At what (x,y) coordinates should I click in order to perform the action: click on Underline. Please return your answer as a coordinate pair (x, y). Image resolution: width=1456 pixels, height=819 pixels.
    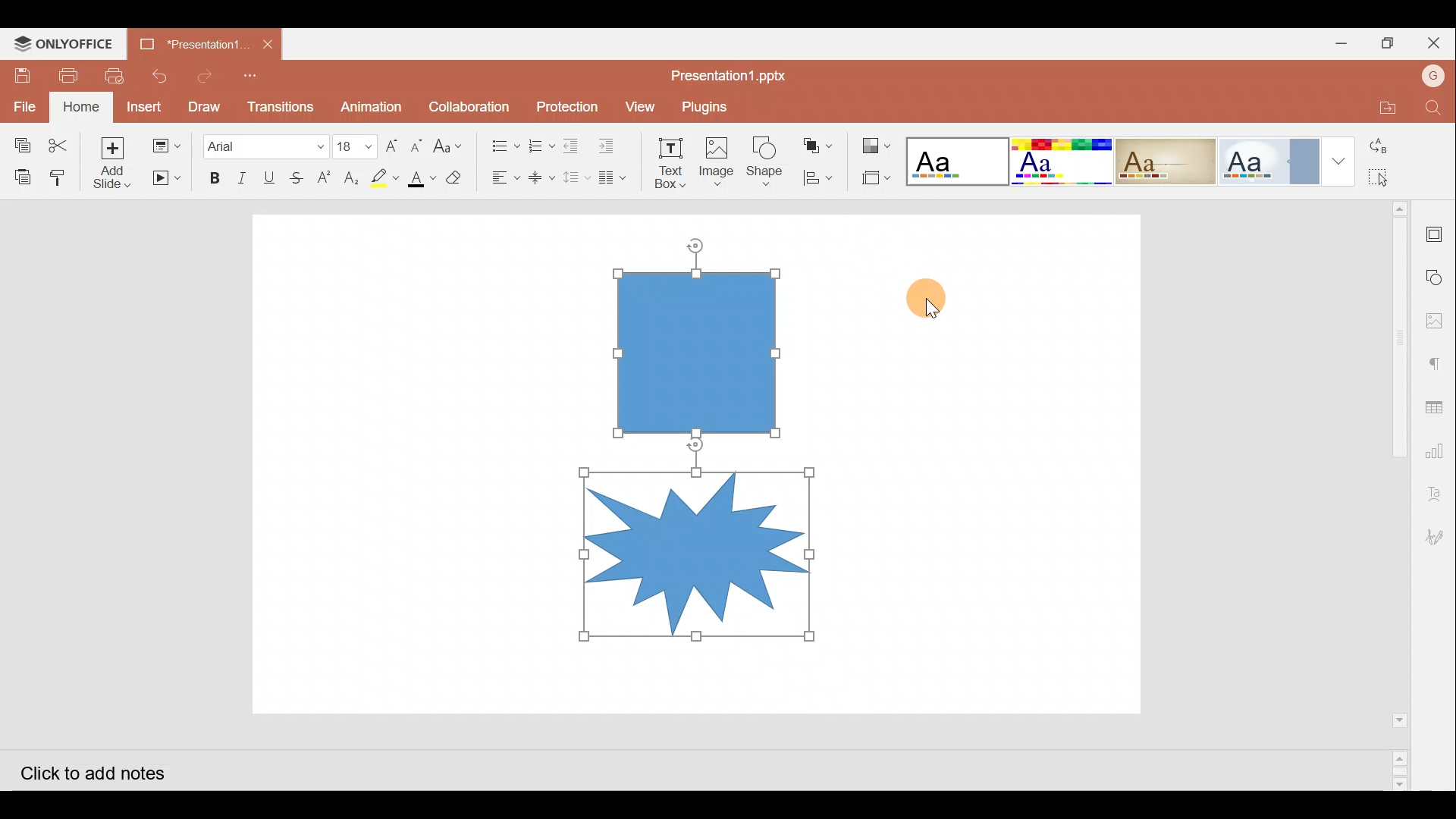
    Looking at the image, I should click on (272, 175).